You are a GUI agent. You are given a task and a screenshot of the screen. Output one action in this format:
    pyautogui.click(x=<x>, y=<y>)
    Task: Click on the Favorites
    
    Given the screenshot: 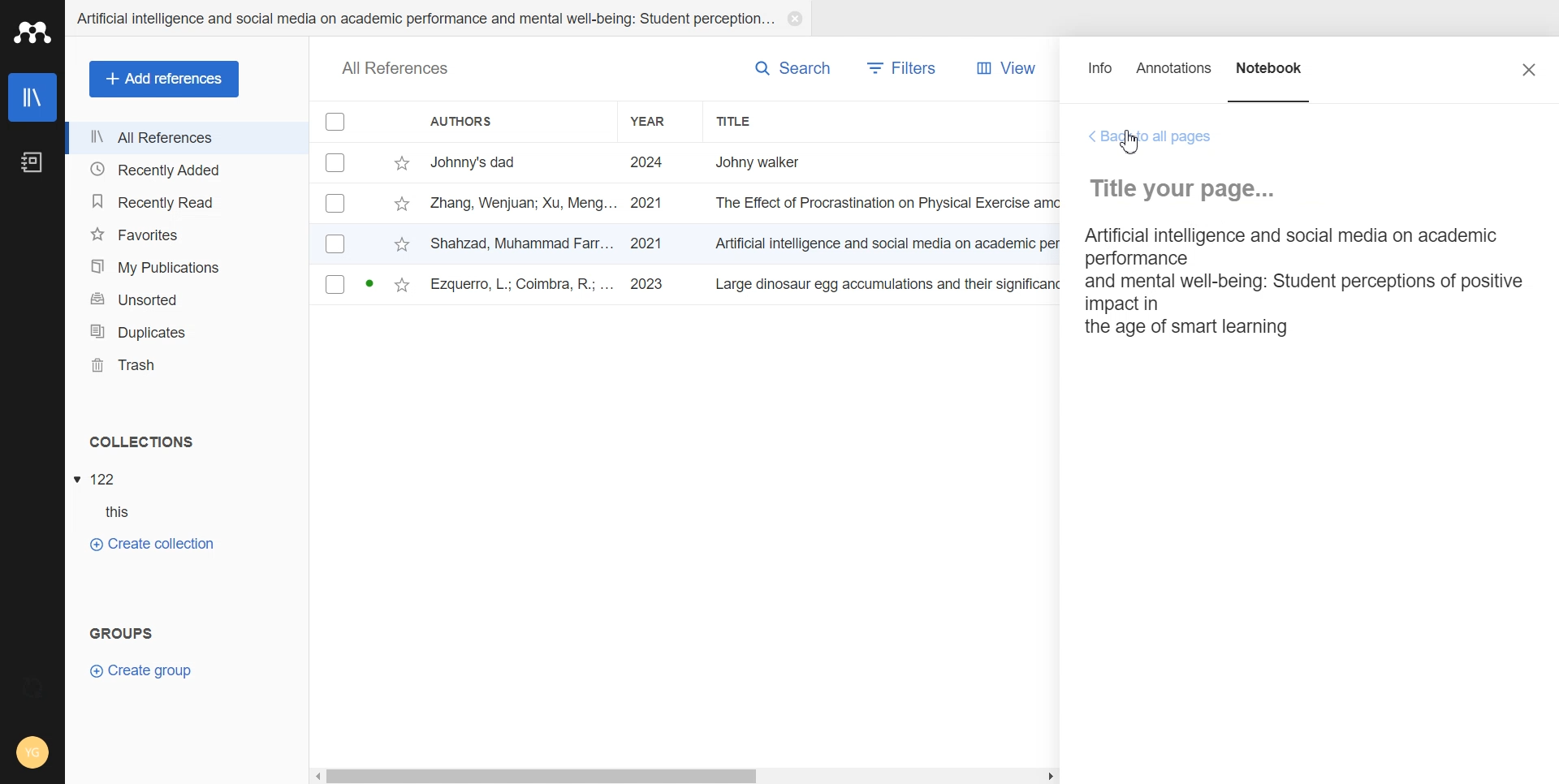 What is the action you would take?
    pyautogui.click(x=186, y=235)
    